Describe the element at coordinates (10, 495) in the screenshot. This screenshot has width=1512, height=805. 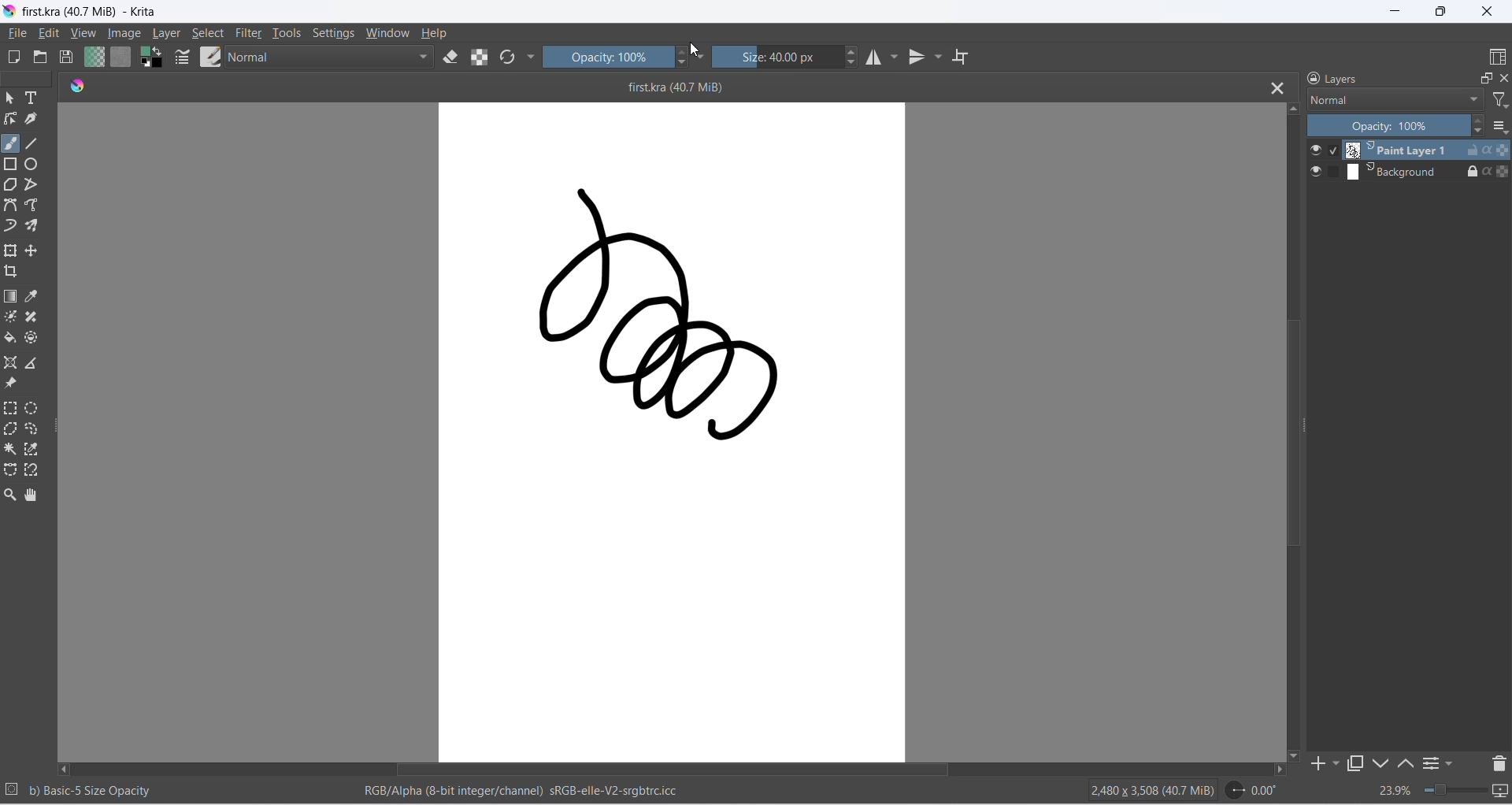
I see `zoom tool` at that location.